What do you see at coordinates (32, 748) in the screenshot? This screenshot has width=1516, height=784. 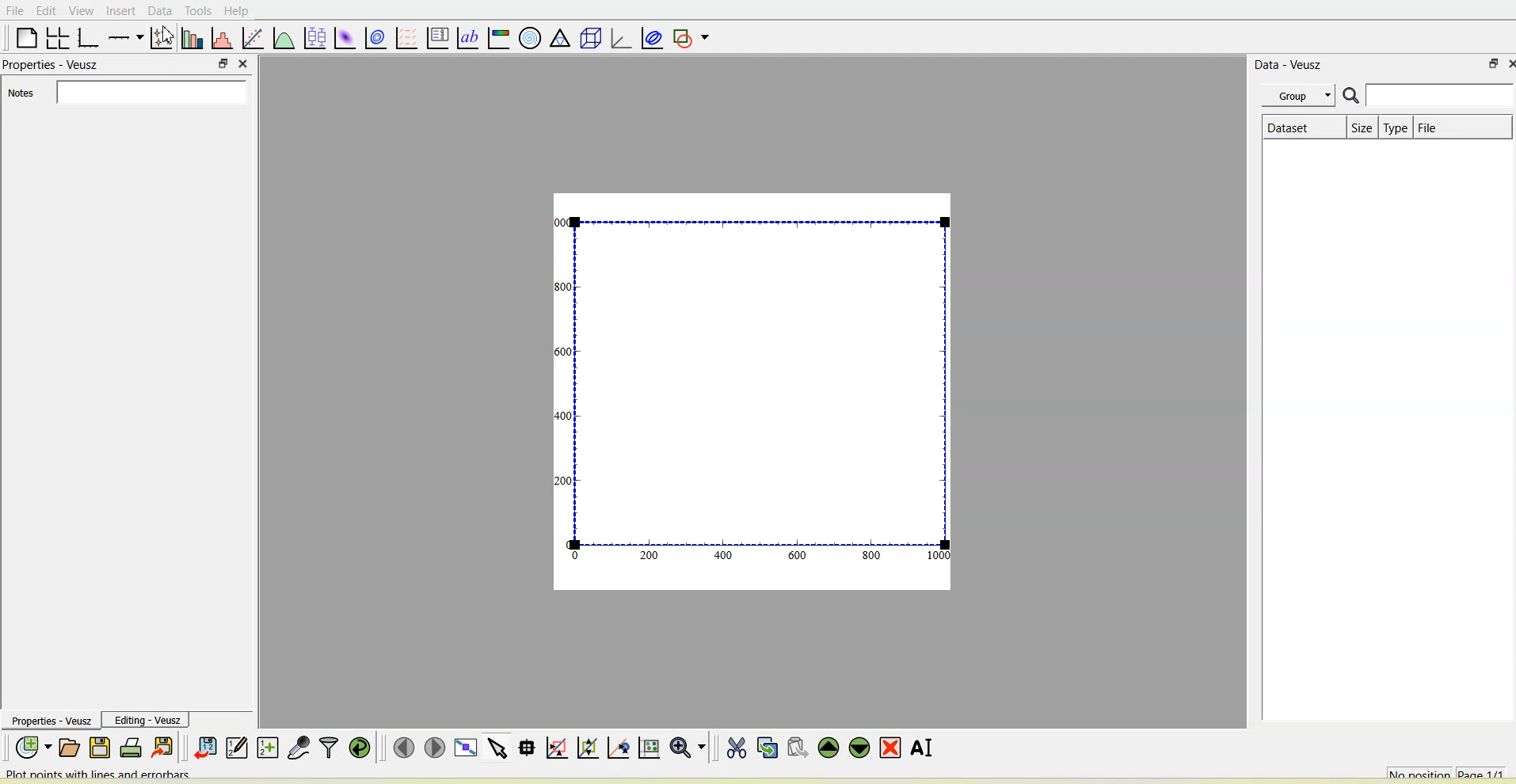 I see `New document` at bounding box center [32, 748].